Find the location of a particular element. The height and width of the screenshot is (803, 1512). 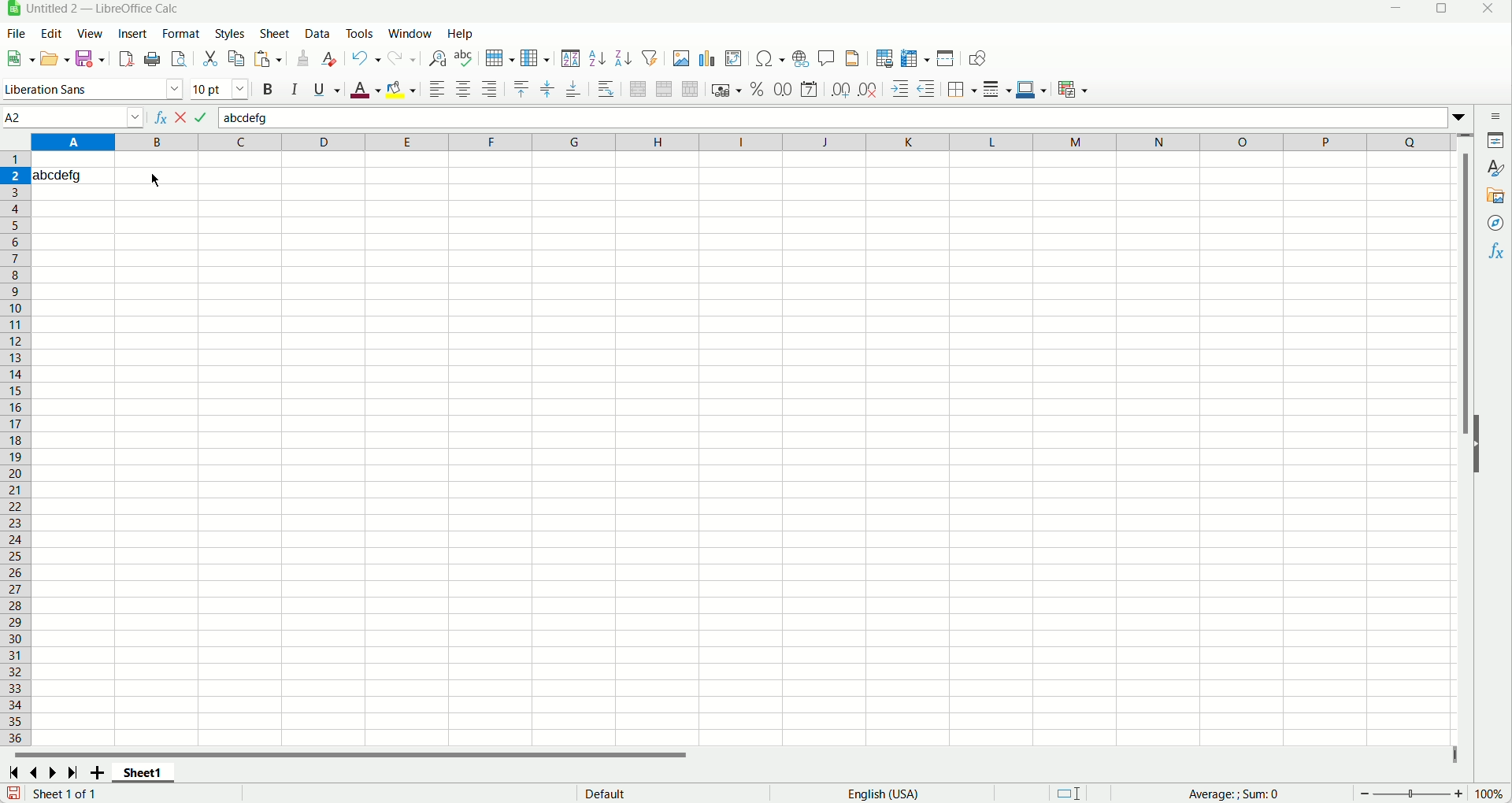

save is located at coordinates (13, 793).